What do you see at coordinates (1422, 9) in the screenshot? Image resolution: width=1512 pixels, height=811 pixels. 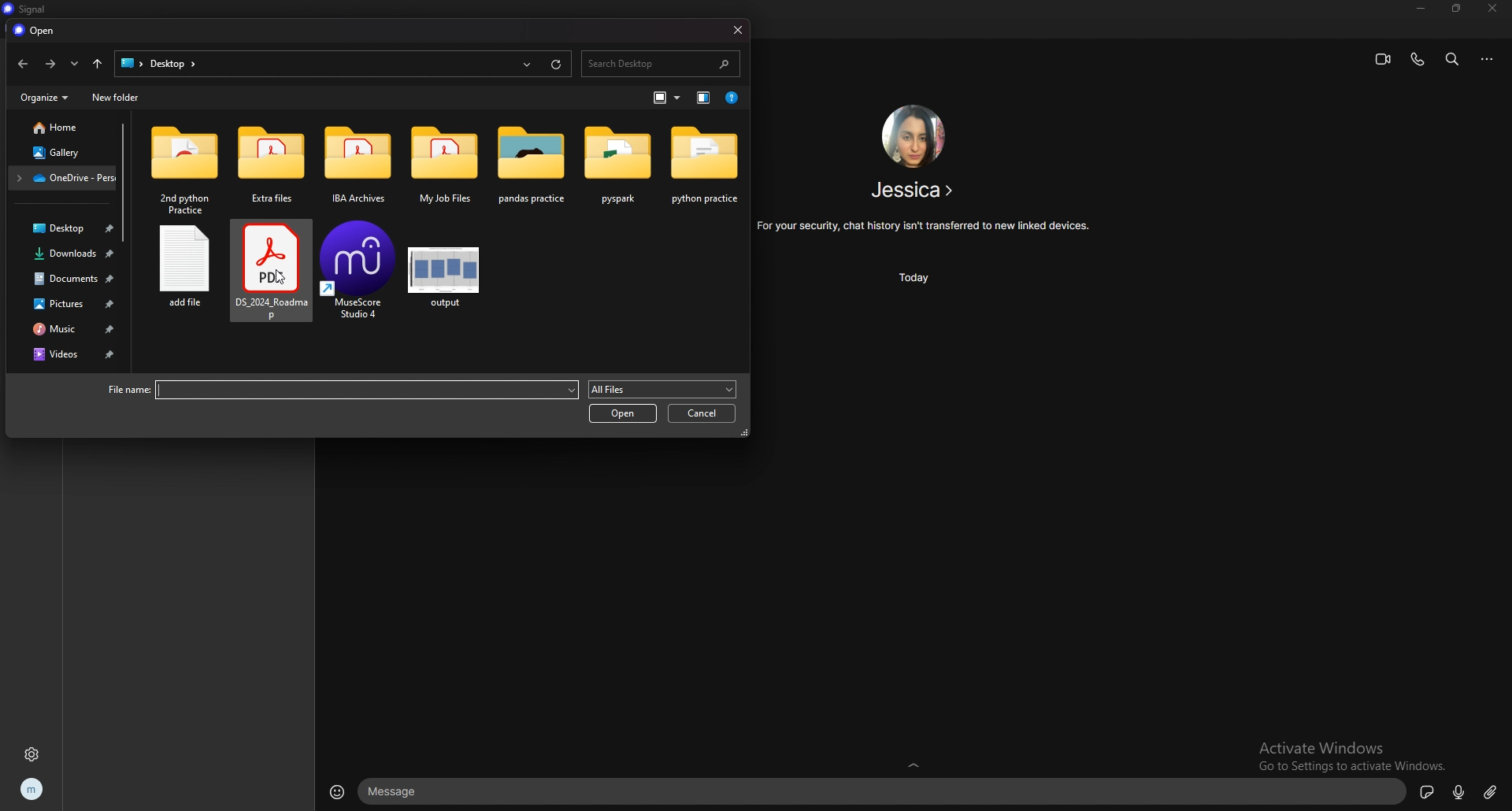 I see `minimize` at bounding box center [1422, 9].